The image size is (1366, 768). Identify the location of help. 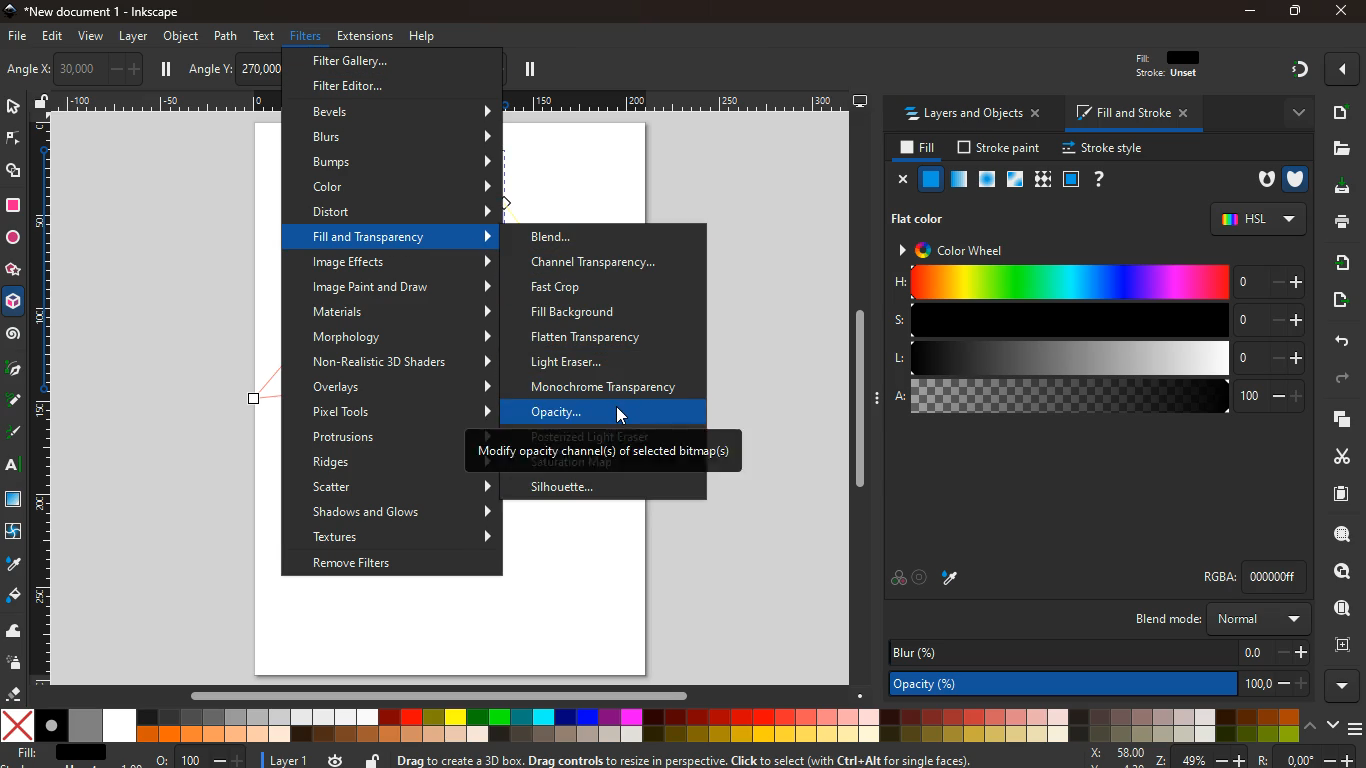
(1100, 179).